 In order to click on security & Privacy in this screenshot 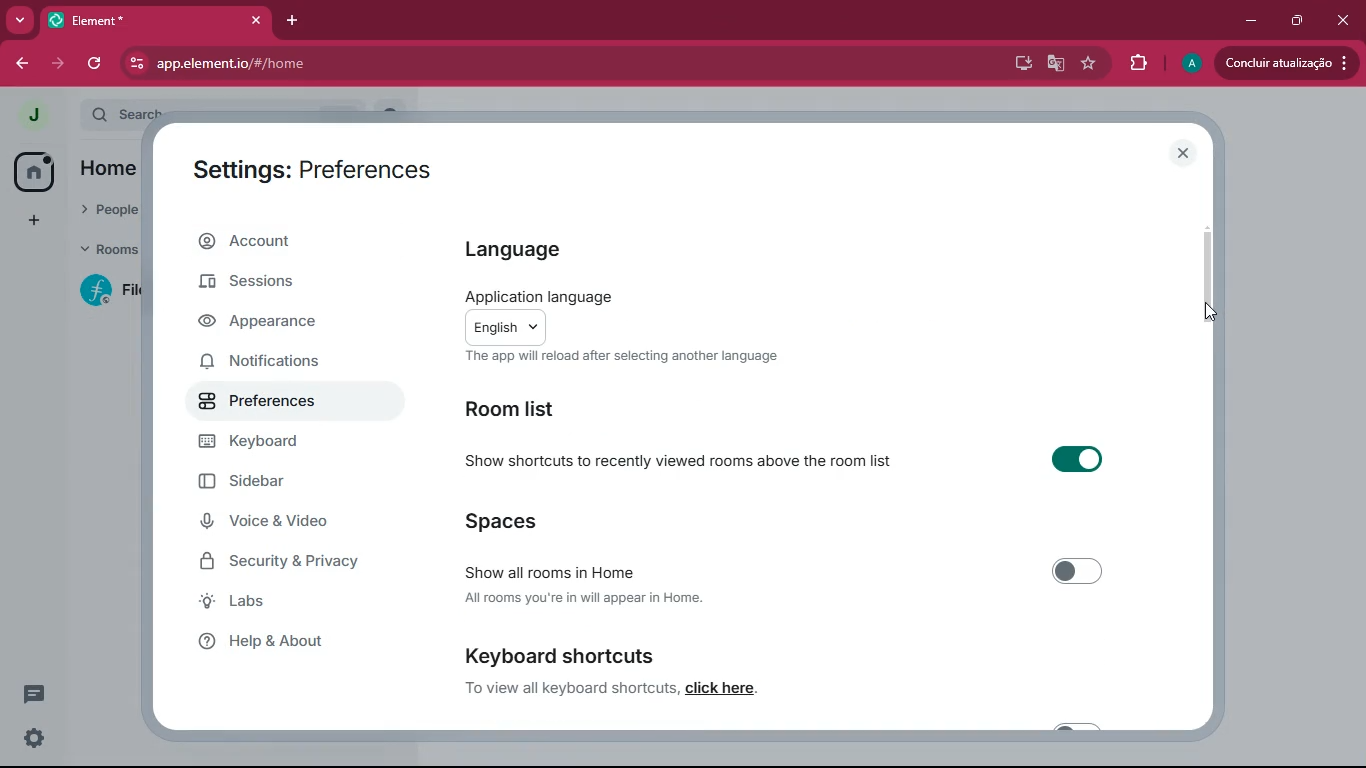, I will do `click(289, 563)`.